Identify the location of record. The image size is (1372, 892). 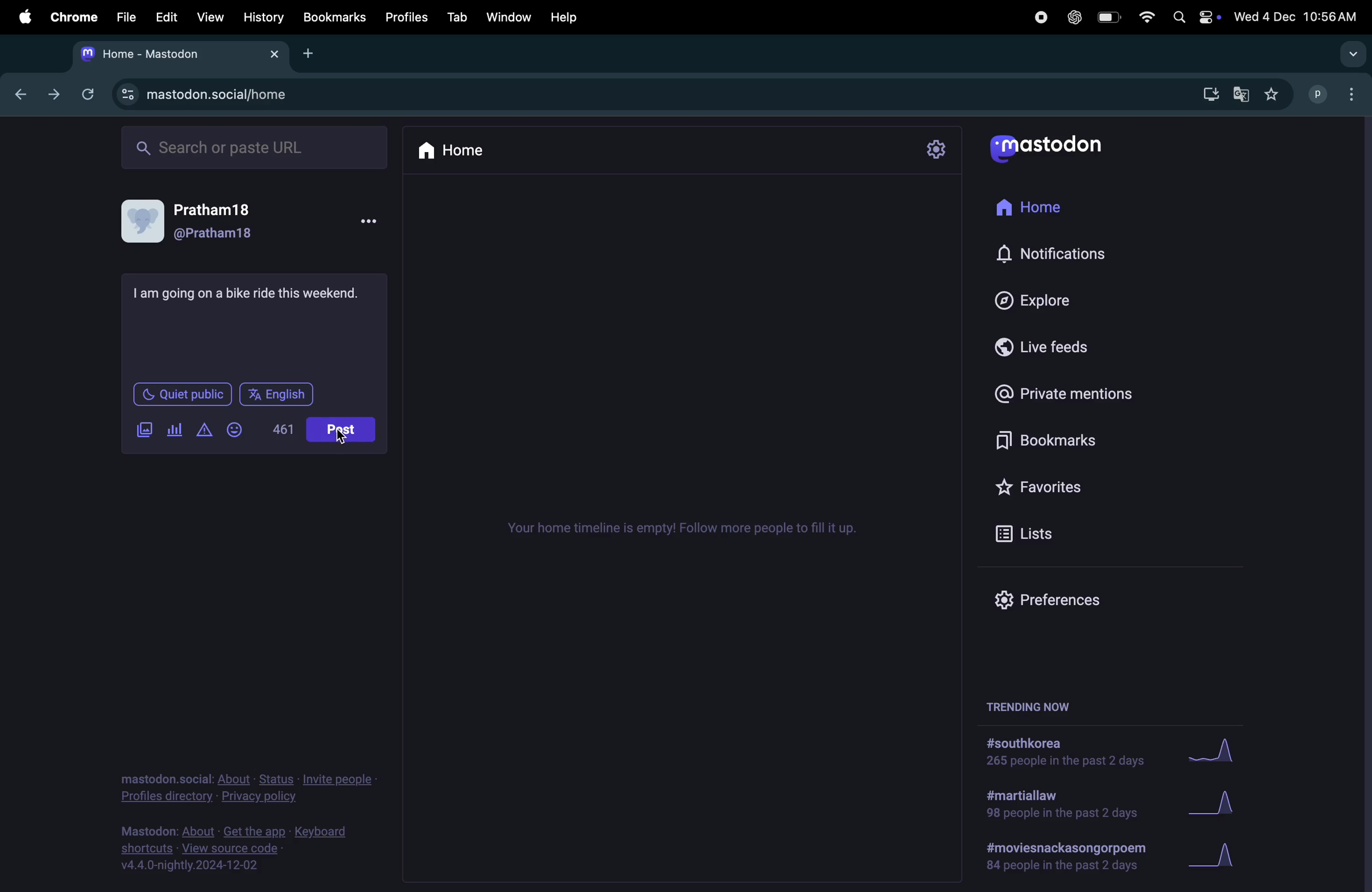
(1037, 17).